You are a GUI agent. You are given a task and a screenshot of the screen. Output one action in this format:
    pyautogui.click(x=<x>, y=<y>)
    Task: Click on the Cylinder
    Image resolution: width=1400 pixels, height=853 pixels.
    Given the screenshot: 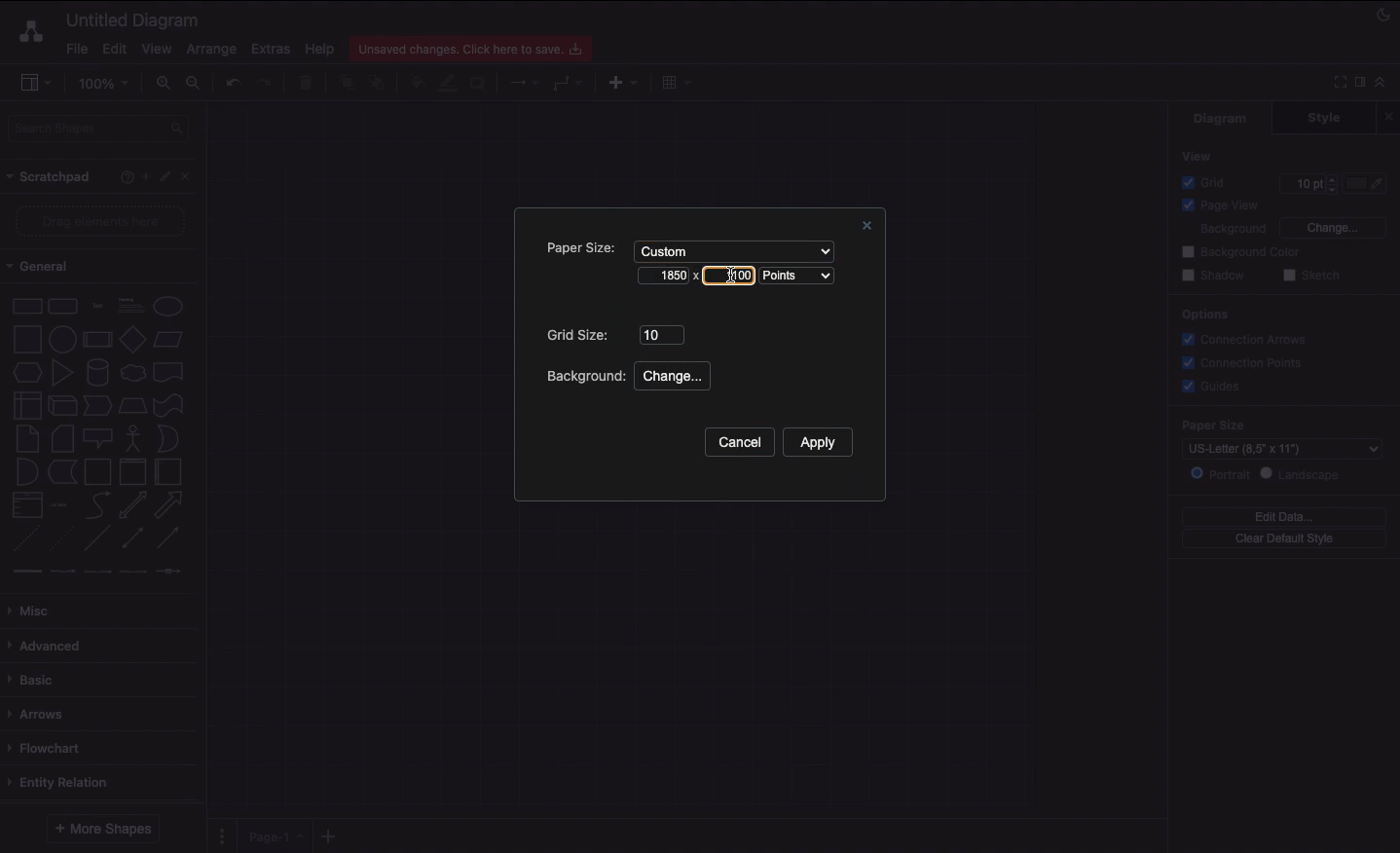 What is the action you would take?
    pyautogui.click(x=97, y=373)
    